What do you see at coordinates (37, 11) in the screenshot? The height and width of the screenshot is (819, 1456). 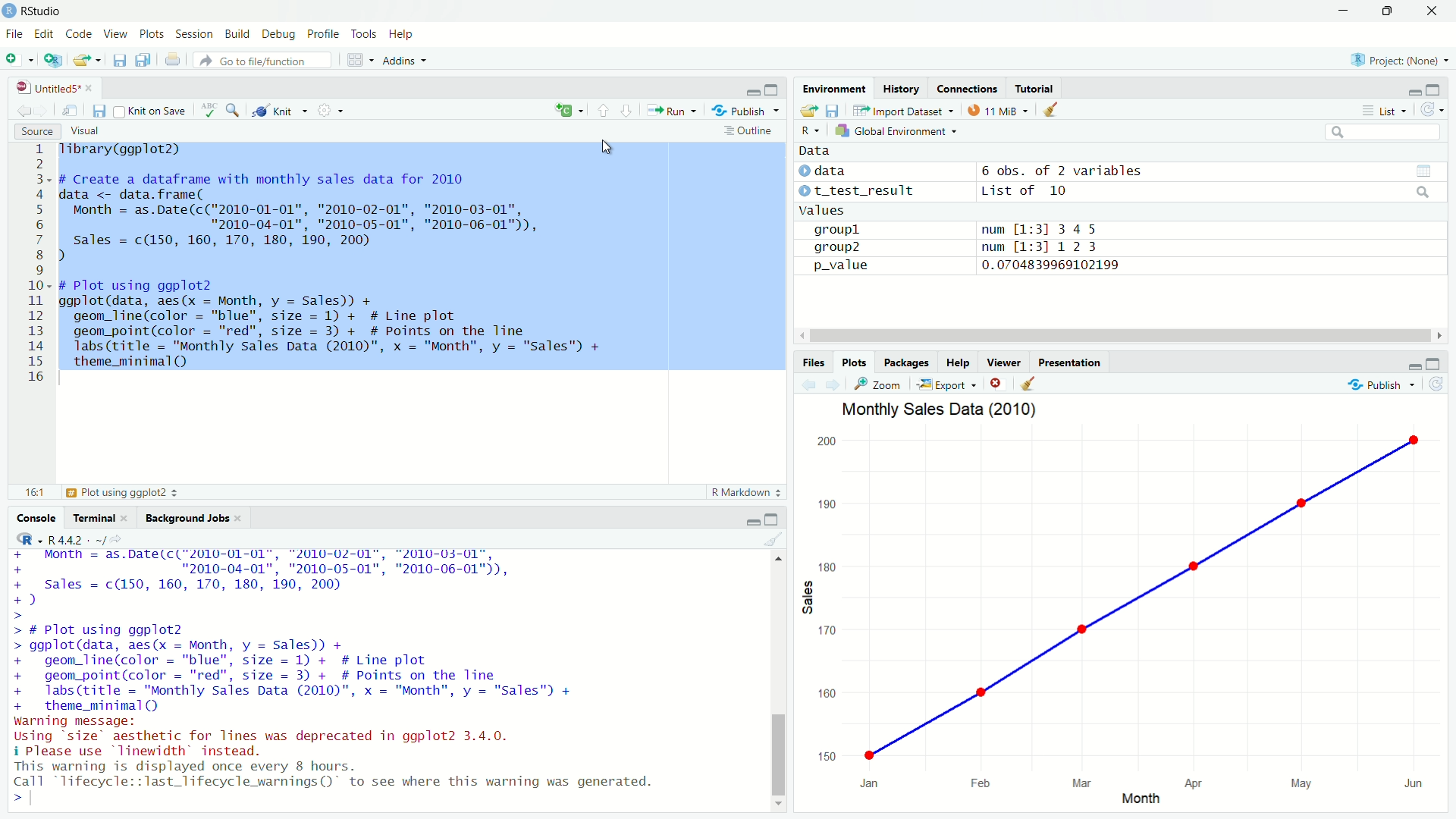 I see `RStudio` at bounding box center [37, 11].